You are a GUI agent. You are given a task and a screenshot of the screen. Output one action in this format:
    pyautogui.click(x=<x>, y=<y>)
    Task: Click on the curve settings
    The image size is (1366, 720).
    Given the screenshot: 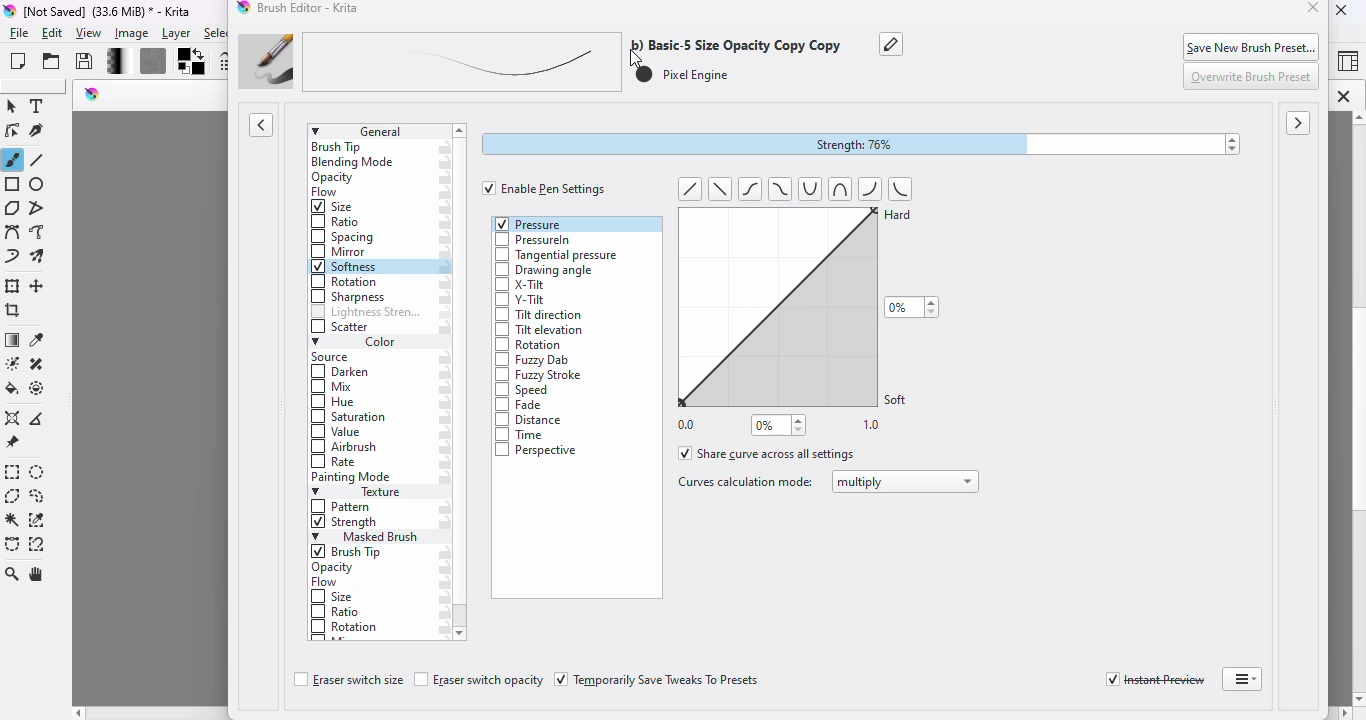 What is the action you would take?
    pyautogui.click(x=770, y=305)
    